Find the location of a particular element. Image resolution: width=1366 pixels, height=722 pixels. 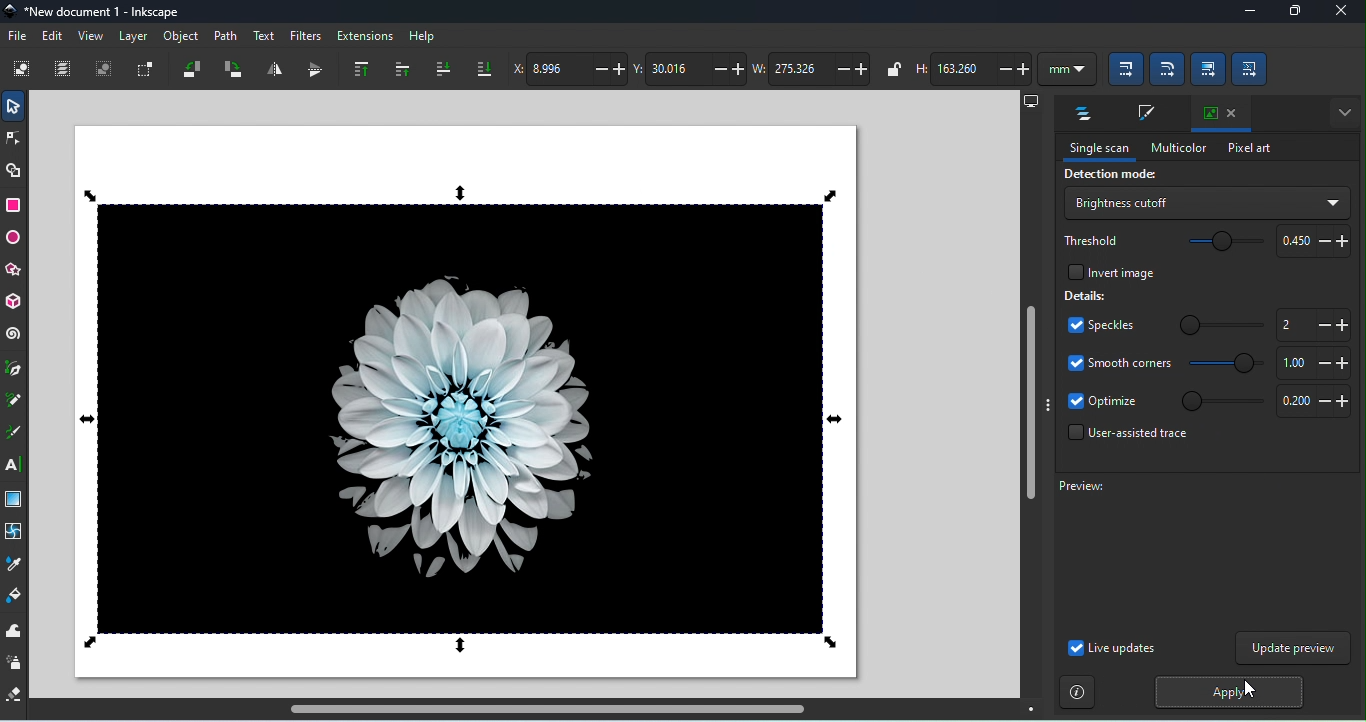

Calligraphy tool is located at coordinates (13, 435).